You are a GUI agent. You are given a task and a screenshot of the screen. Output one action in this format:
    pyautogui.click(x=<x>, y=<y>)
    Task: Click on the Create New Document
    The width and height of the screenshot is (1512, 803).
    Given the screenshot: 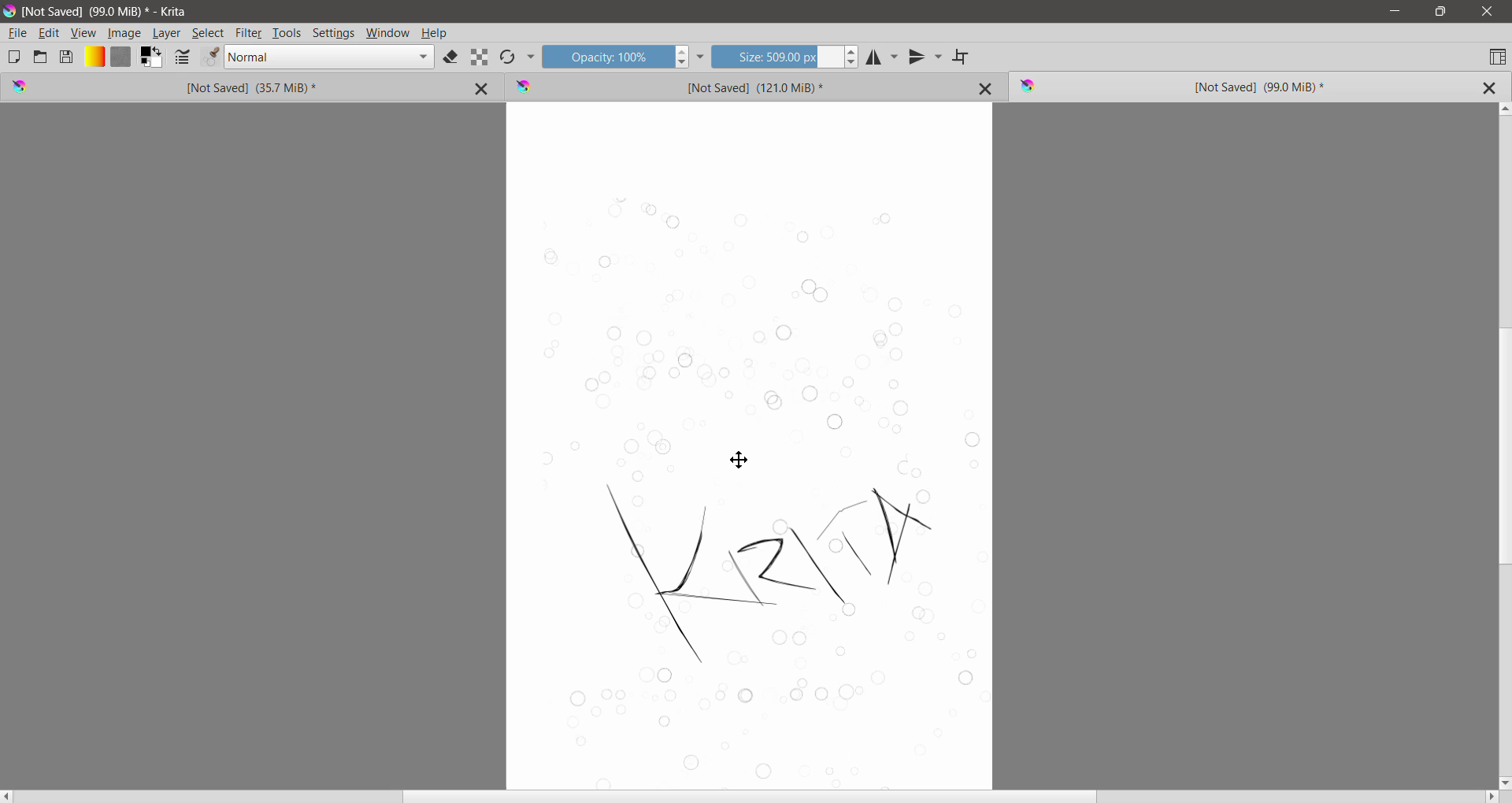 What is the action you would take?
    pyautogui.click(x=13, y=57)
    